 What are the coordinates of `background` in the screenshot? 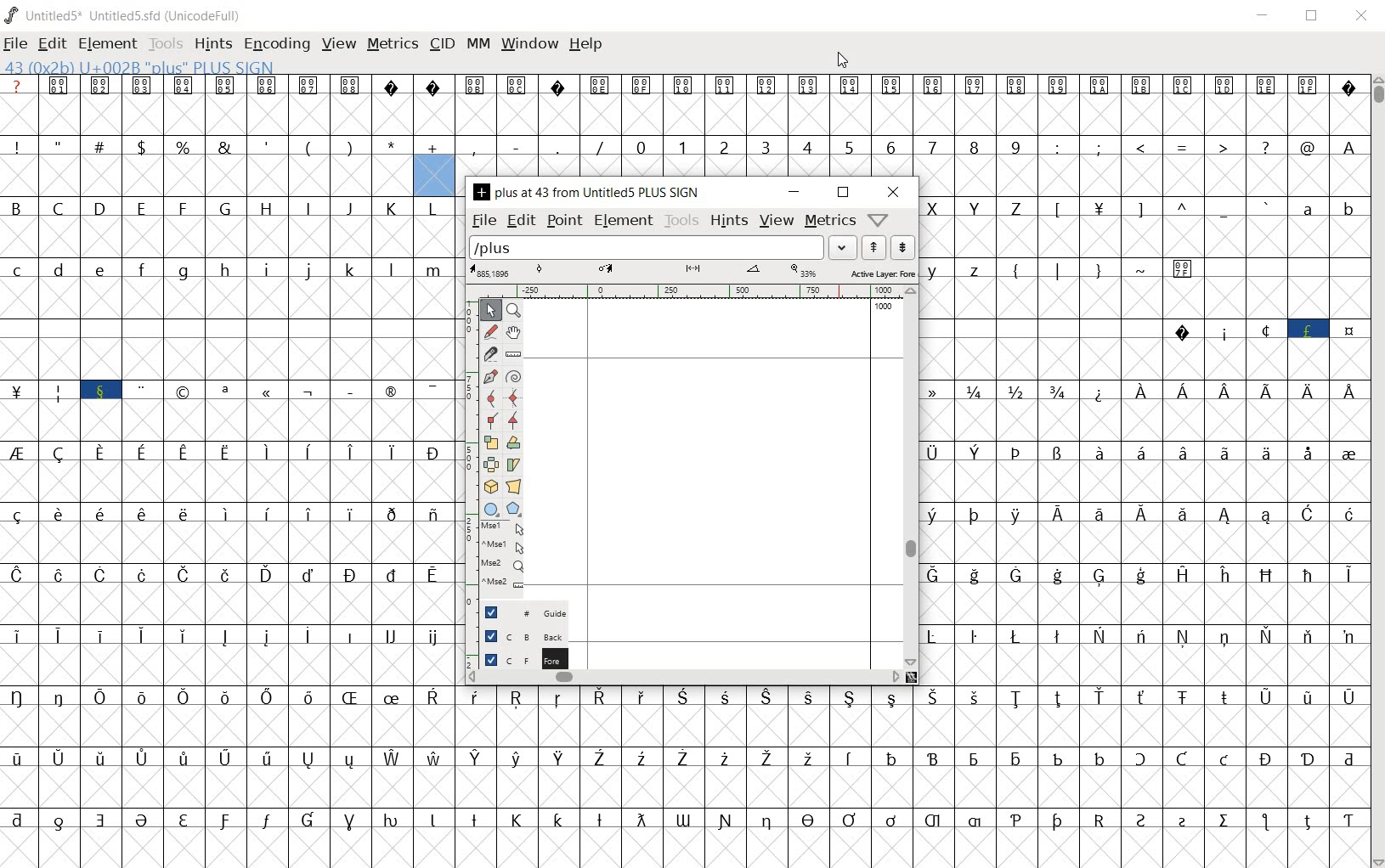 It's located at (517, 635).